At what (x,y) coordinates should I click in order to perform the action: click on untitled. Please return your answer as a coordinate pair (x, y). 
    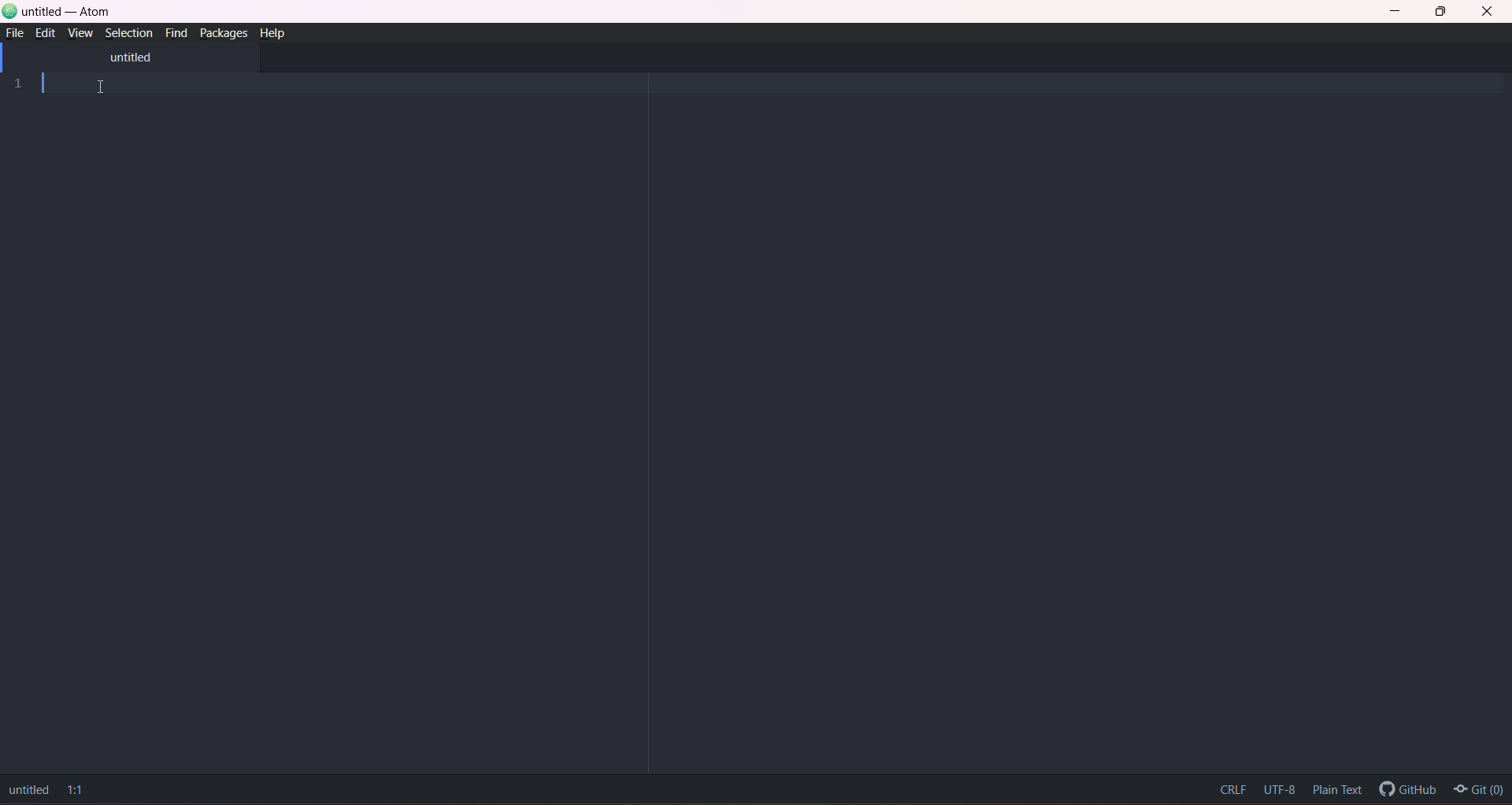
    Looking at the image, I should click on (28, 788).